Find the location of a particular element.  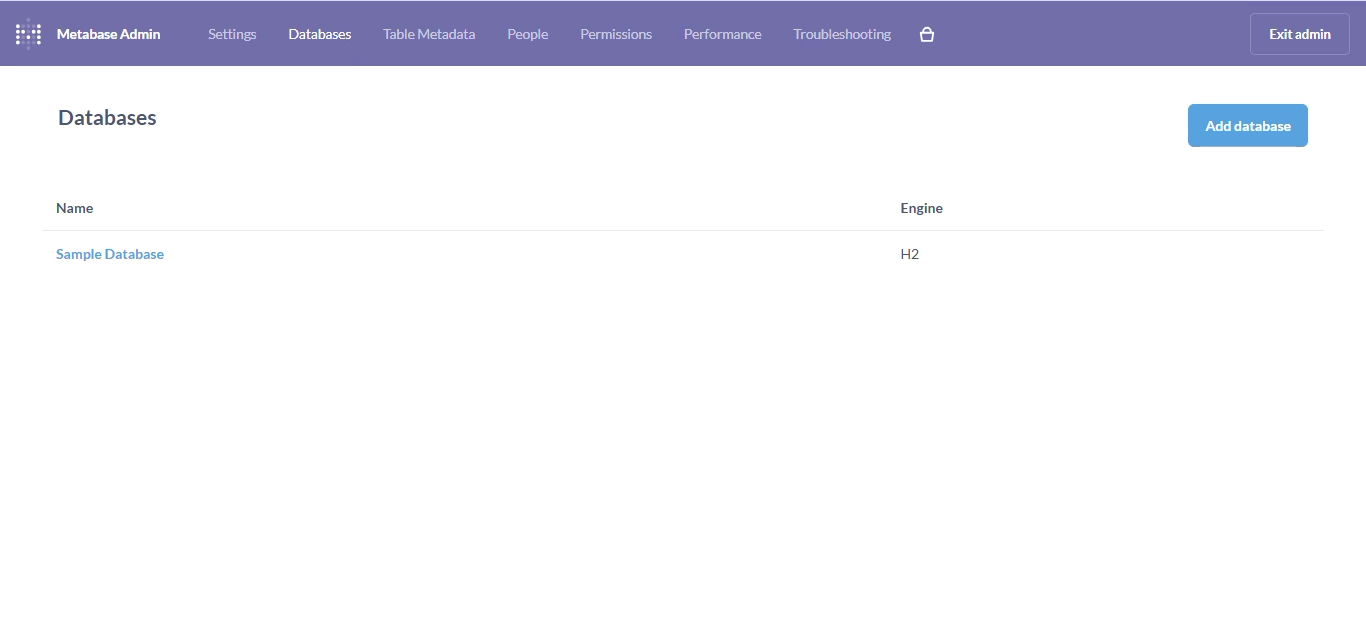

engine is located at coordinates (922, 209).